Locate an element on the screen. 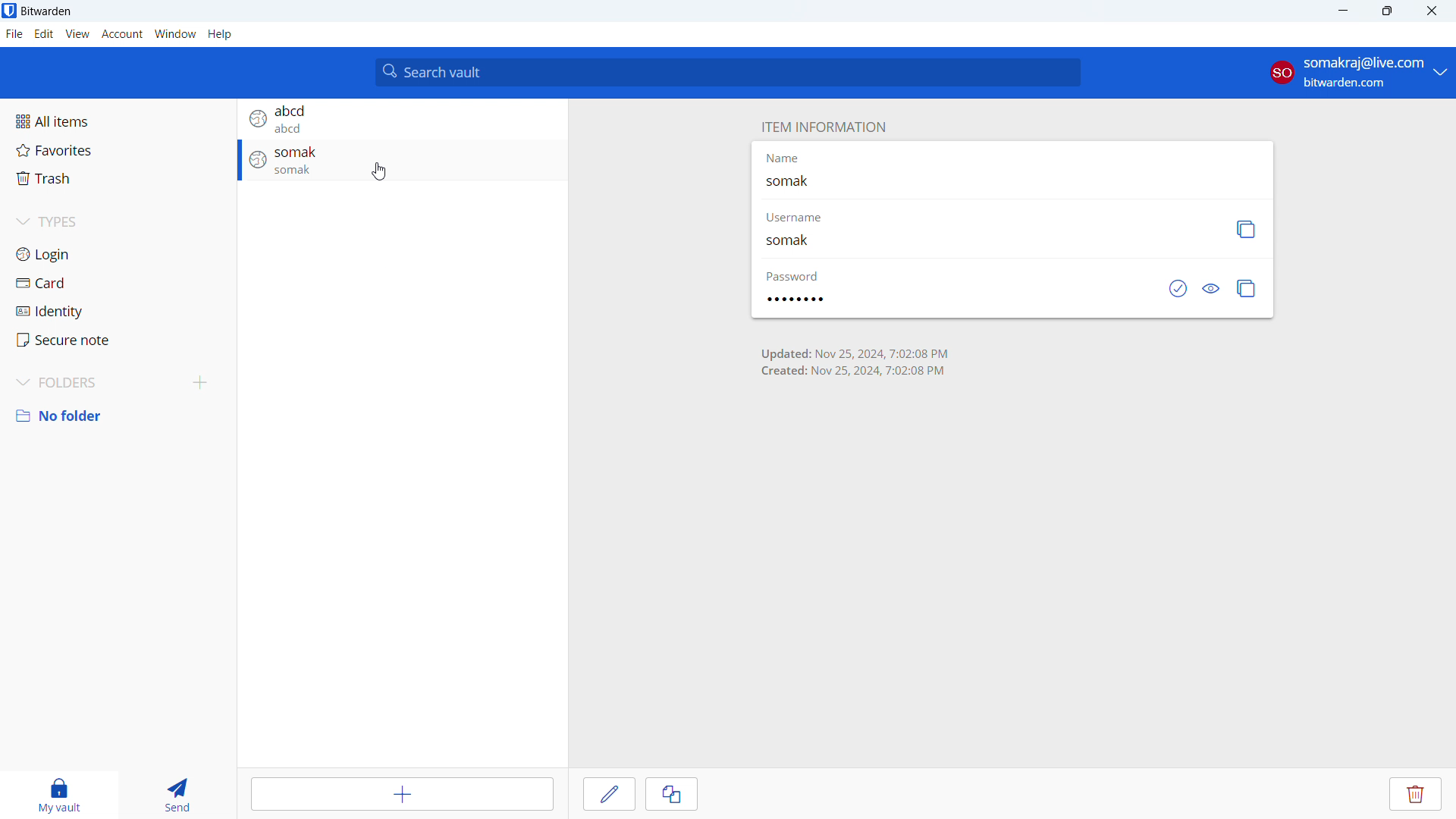 This screenshot has height=819, width=1456. edit is located at coordinates (45, 34).